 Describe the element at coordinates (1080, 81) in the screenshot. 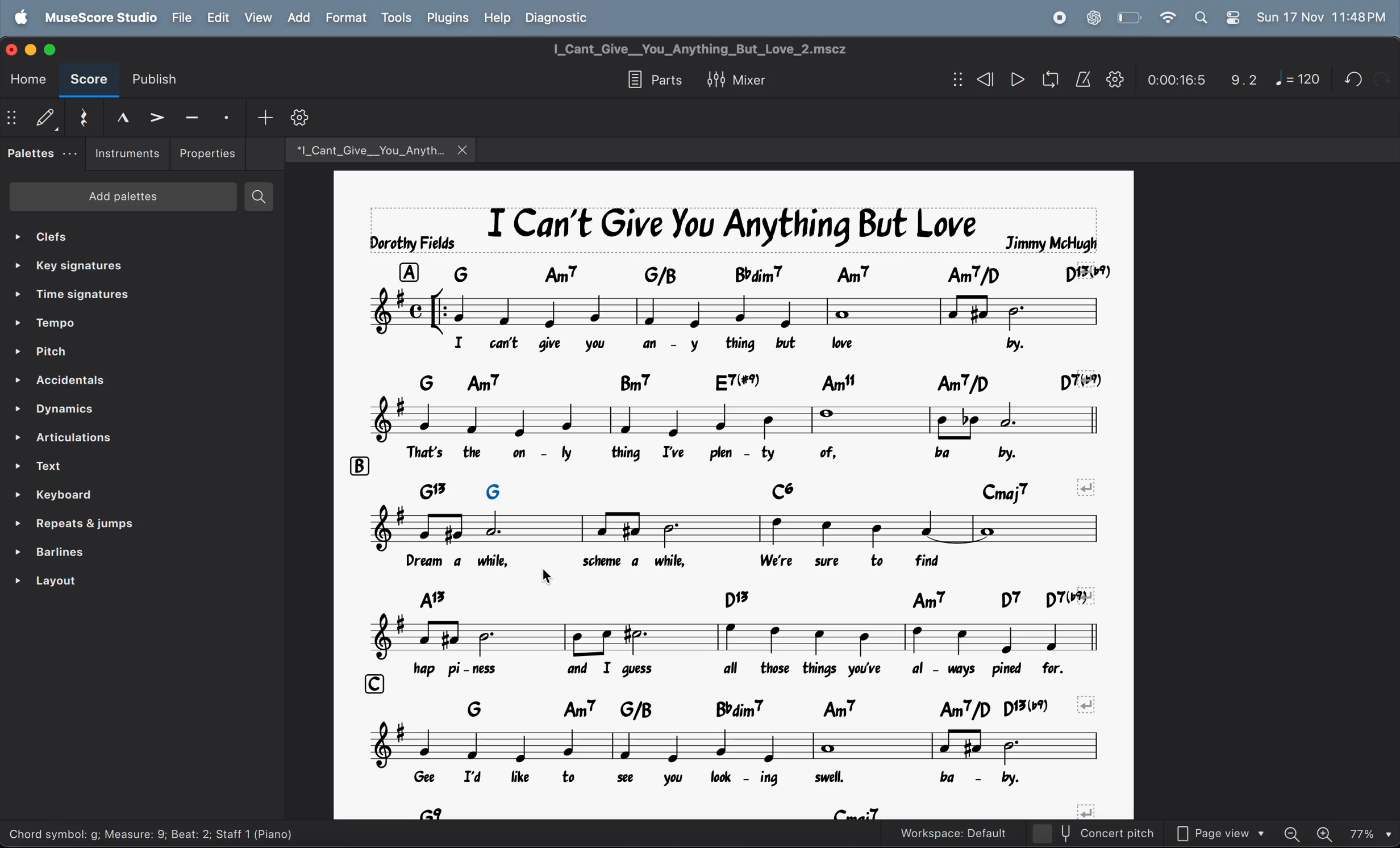

I see `metronome` at that location.